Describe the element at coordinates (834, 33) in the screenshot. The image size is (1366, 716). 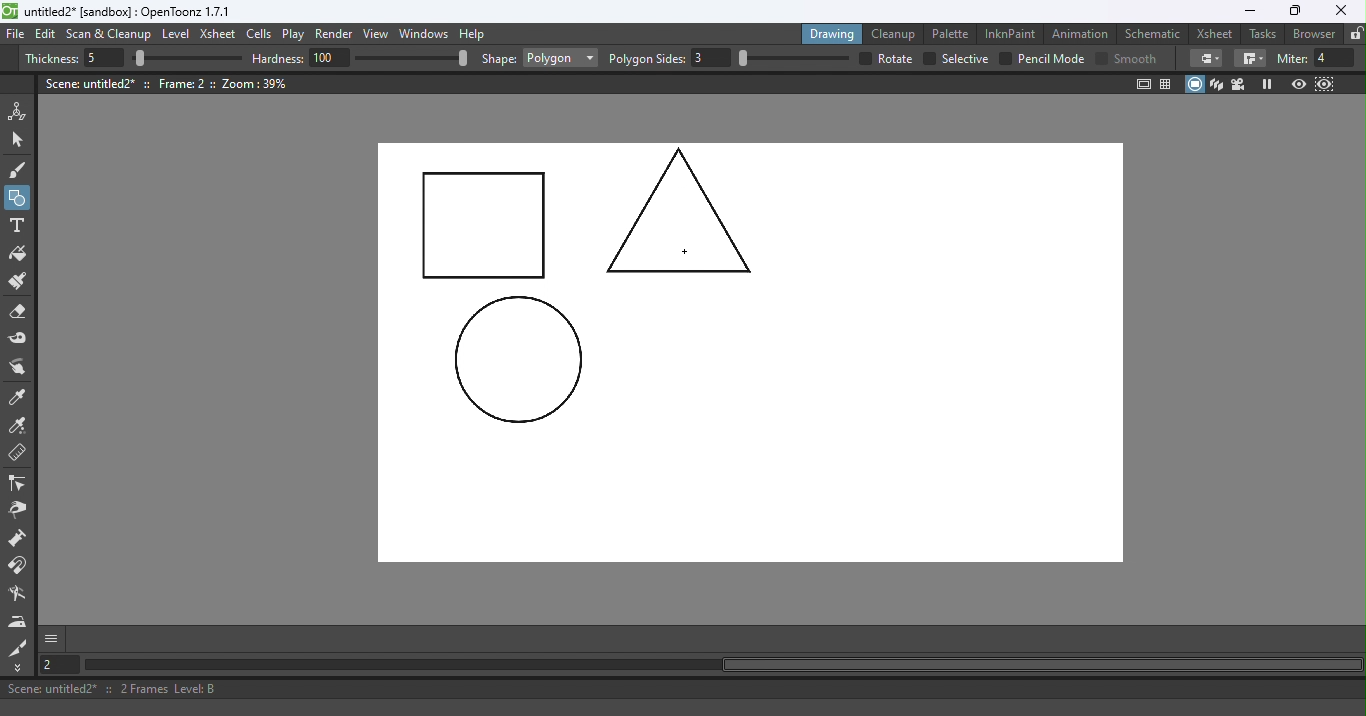
I see `Drawing` at that location.